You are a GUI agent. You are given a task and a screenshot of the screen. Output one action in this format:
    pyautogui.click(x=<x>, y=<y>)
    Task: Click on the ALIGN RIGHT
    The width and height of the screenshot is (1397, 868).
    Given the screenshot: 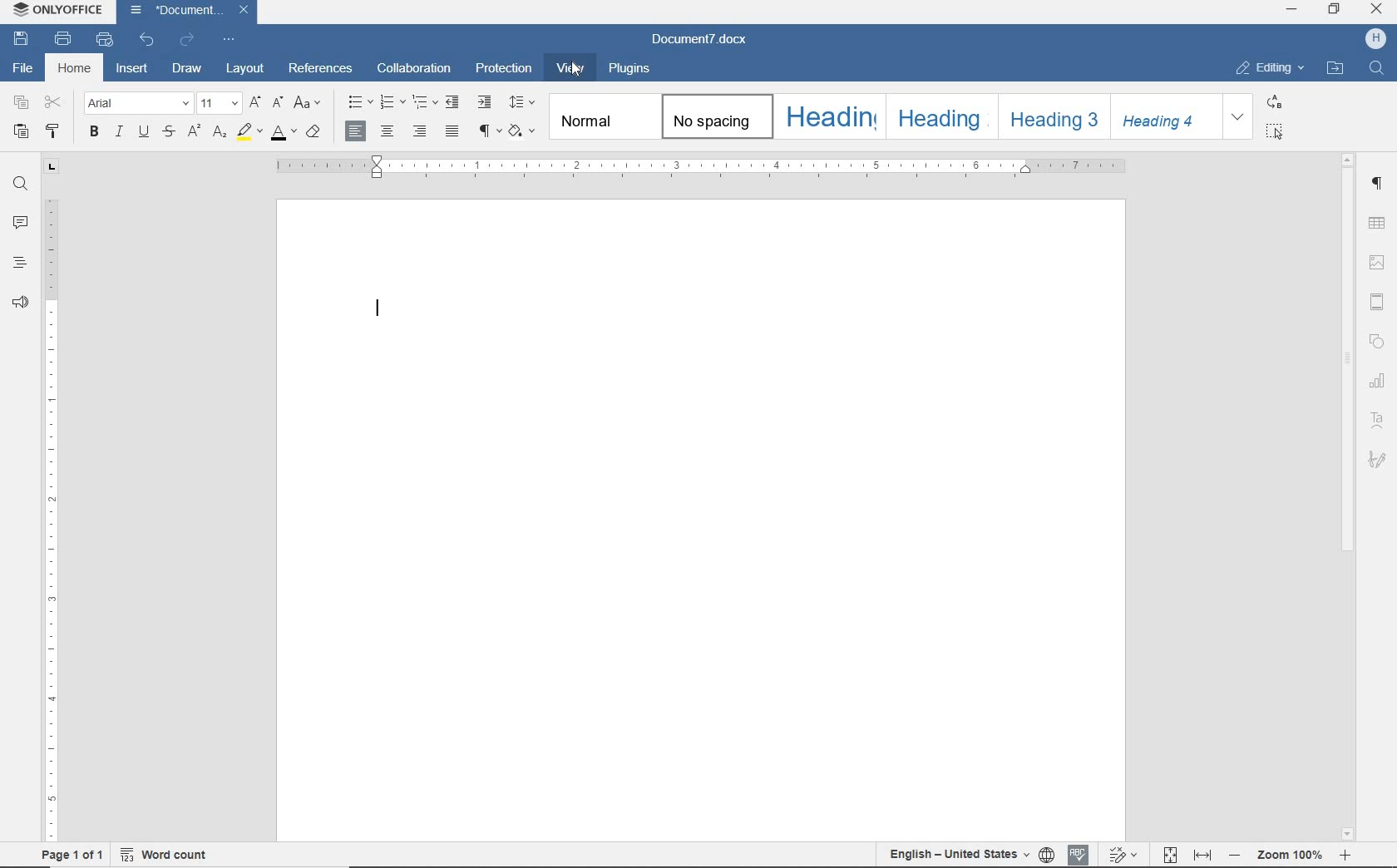 What is the action you would take?
    pyautogui.click(x=357, y=131)
    